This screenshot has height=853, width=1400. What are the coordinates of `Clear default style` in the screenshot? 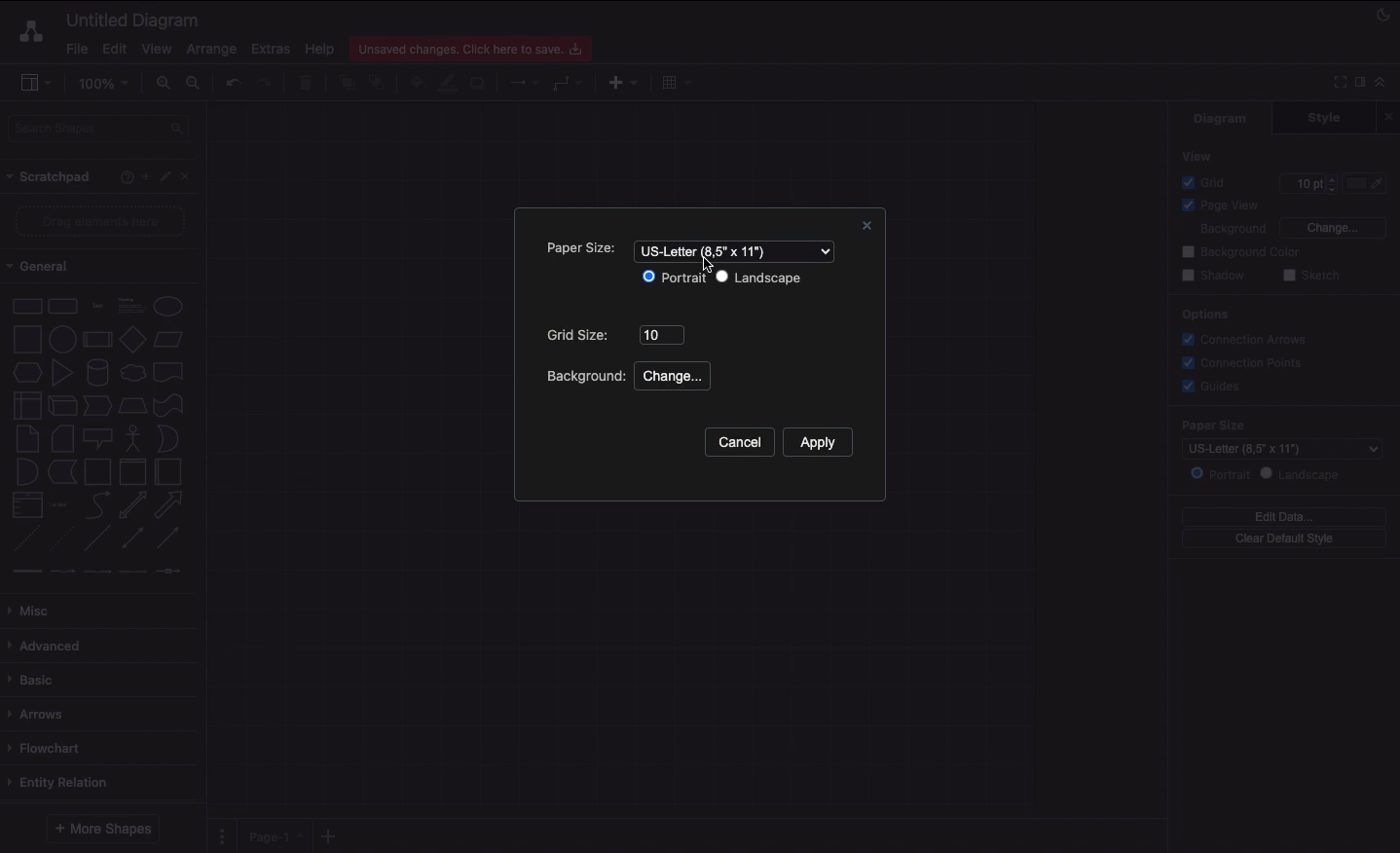 It's located at (1283, 539).